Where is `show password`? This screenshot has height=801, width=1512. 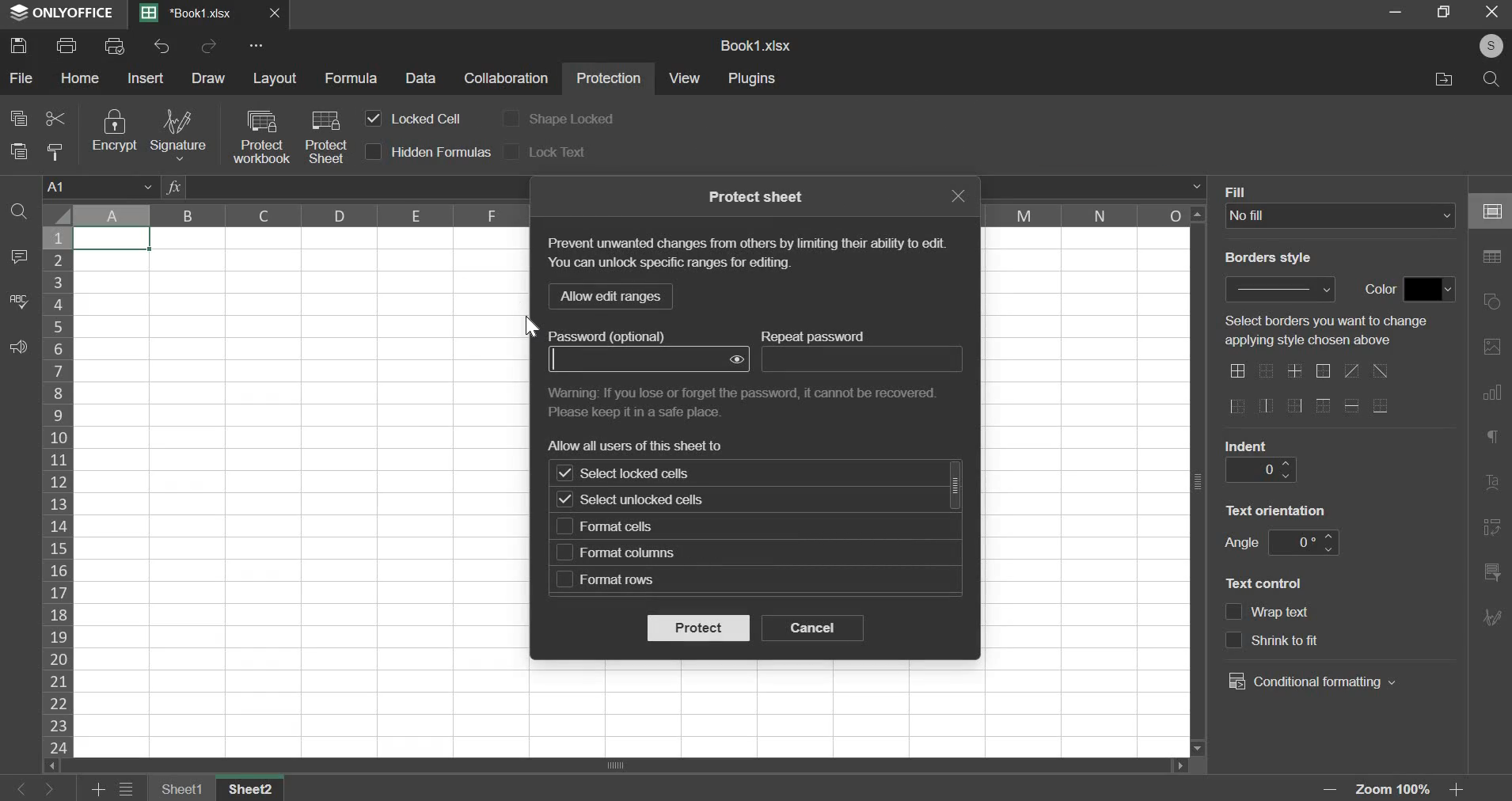
show password is located at coordinates (738, 359).